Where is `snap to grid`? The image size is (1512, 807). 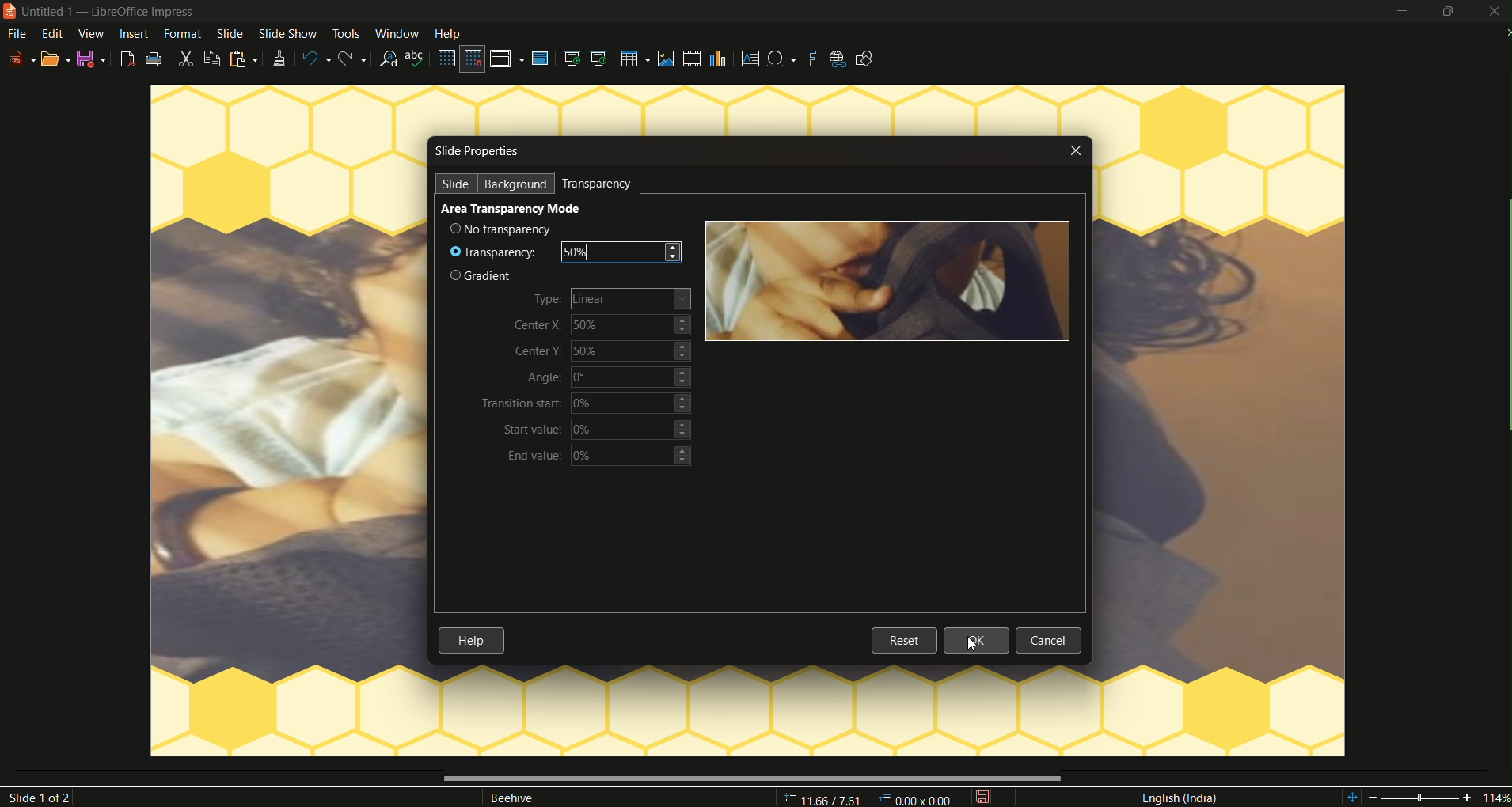 snap to grid is located at coordinates (471, 60).